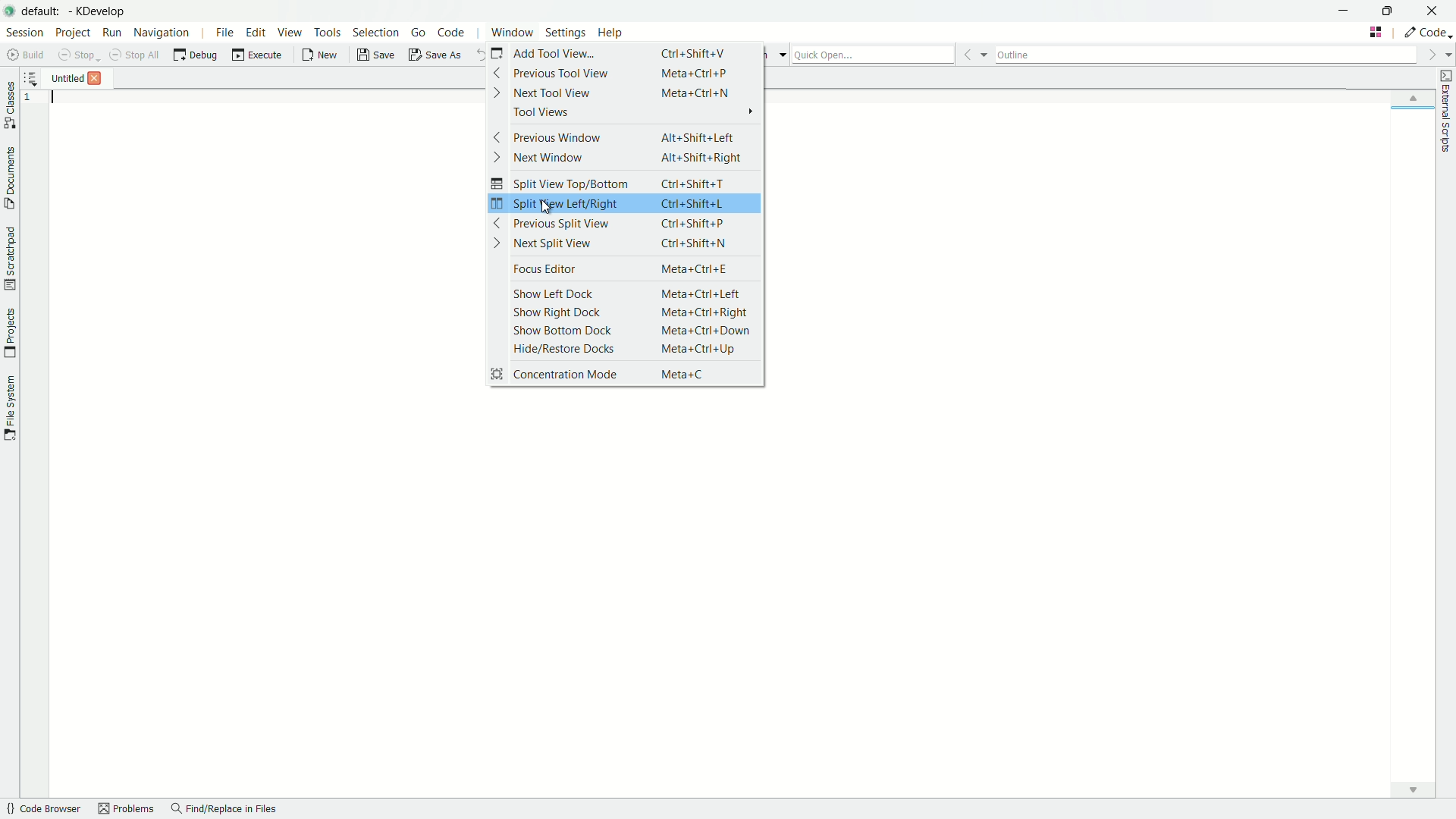  Describe the element at coordinates (573, 312) in the screenshot. I see `show right dock` at that location.